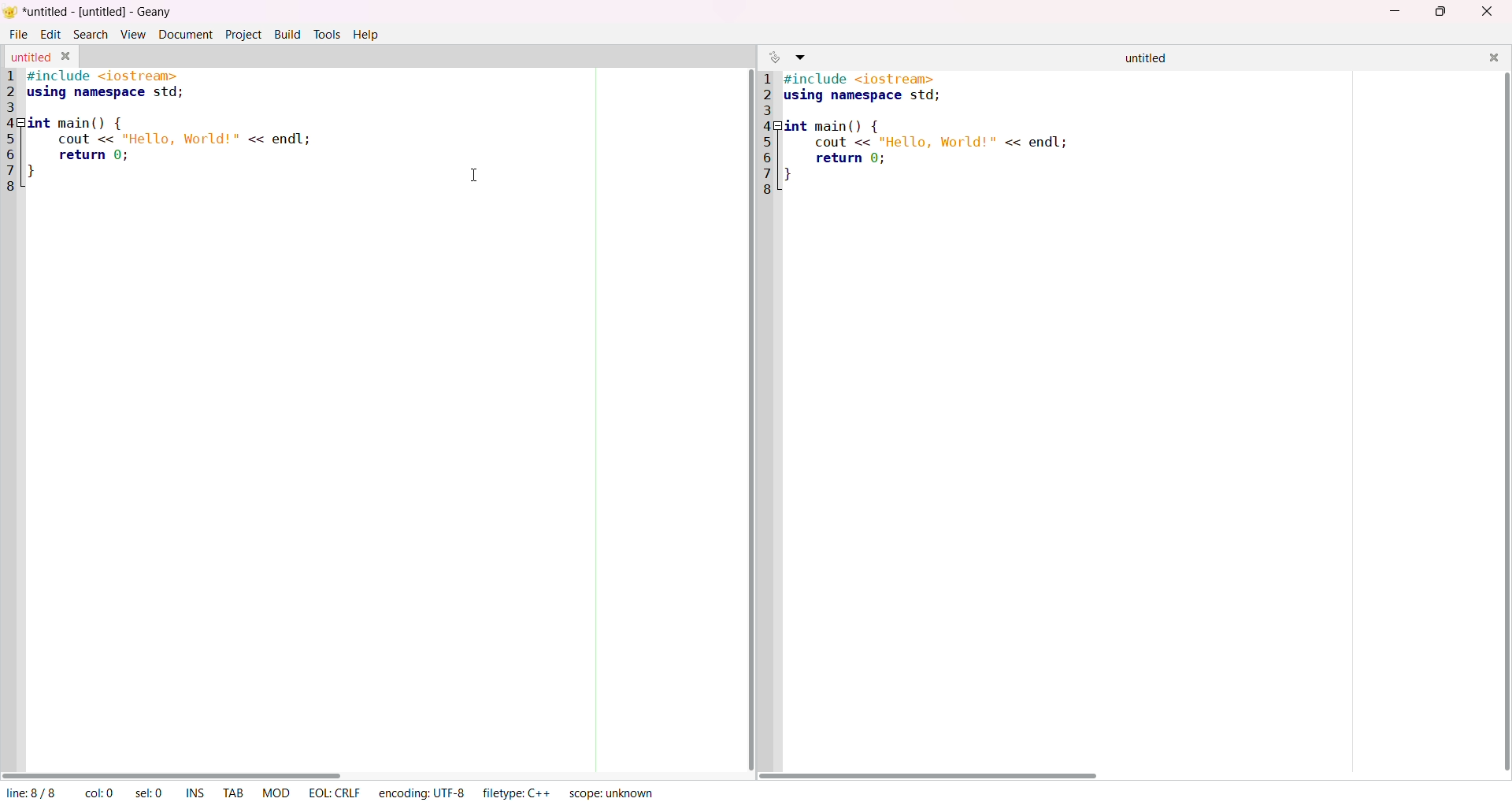 The height and width of the screenshot is (802, 1512). Describe the element at coordinates (1492, 59) in the screenshot. I see `close` at that location.